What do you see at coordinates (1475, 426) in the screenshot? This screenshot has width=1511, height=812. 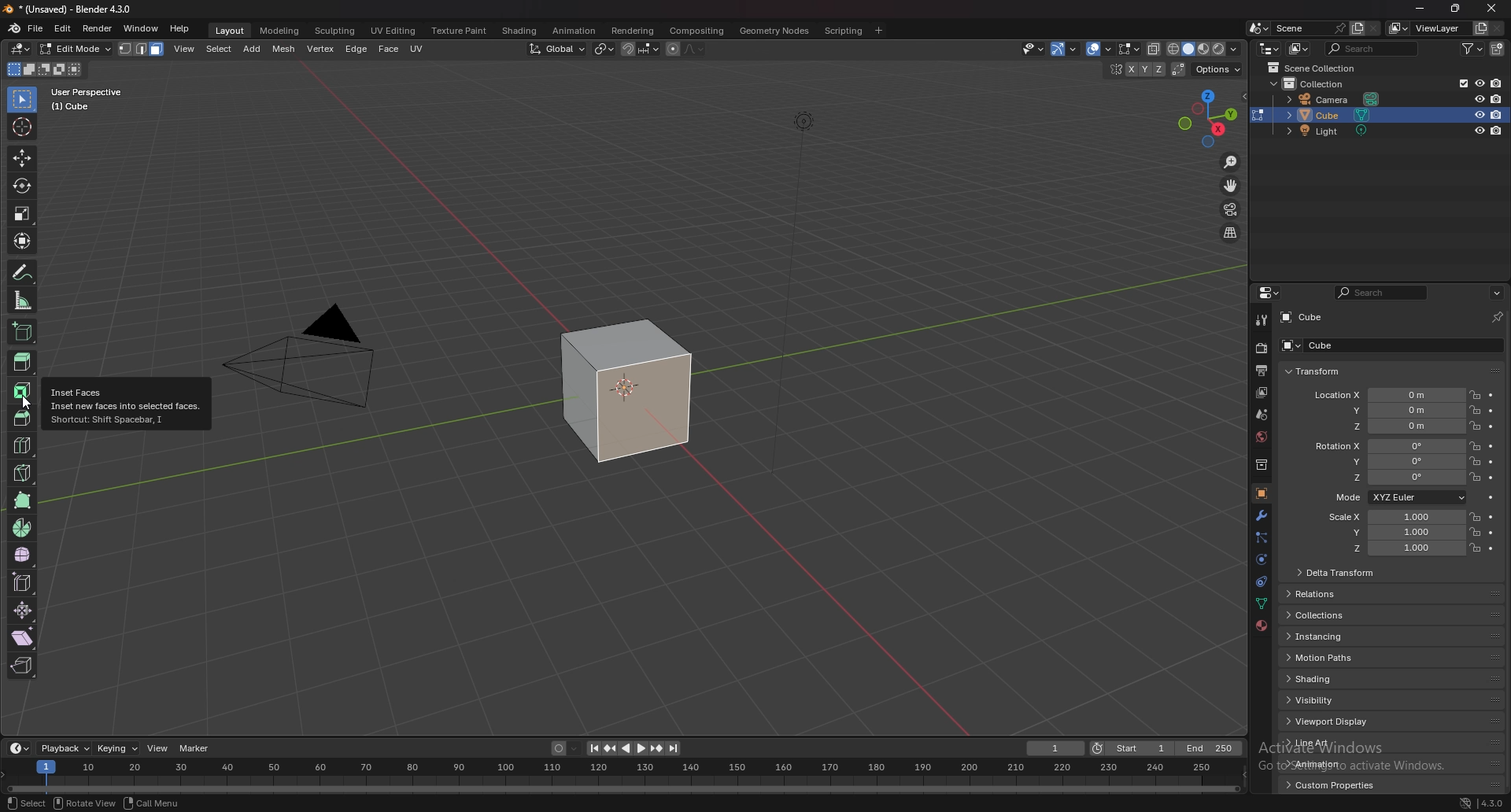 I see `lock` at bounding box center [1475, 426].